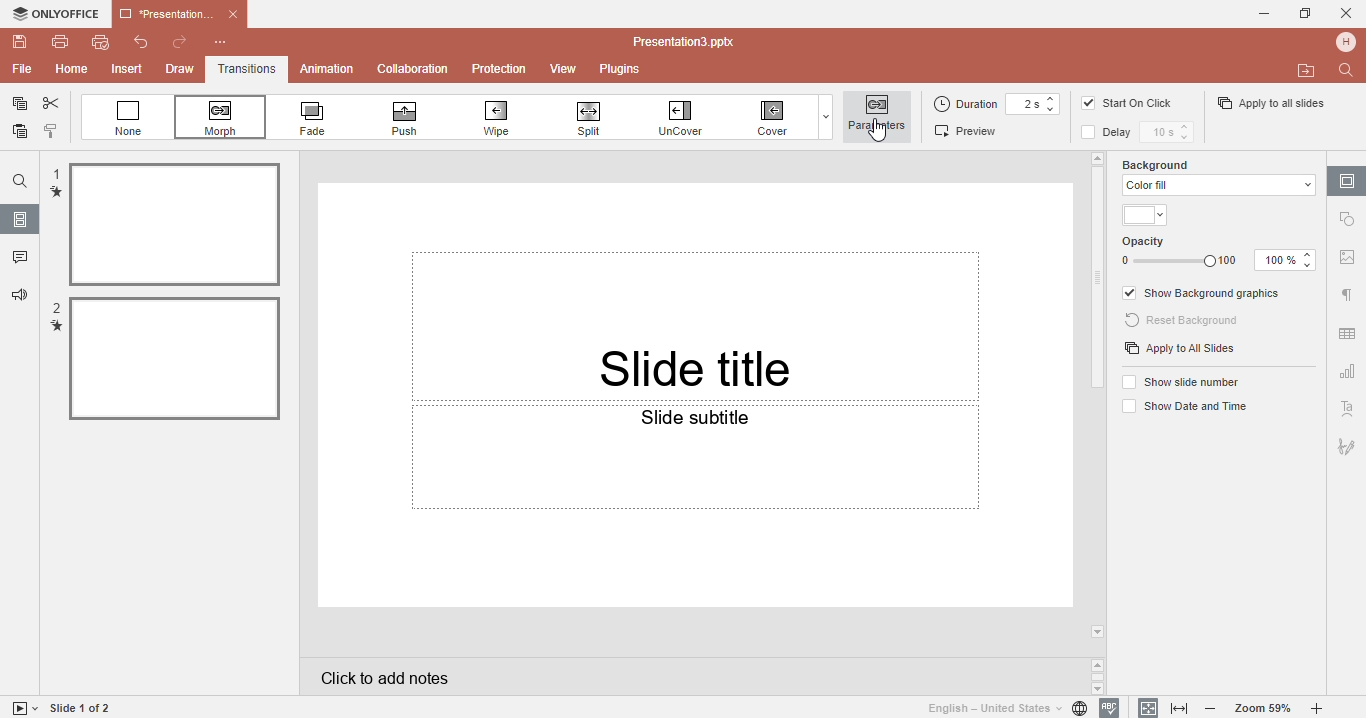 The image size is (1366, 718). I want to click on Chart setting, so click(1346, 374).